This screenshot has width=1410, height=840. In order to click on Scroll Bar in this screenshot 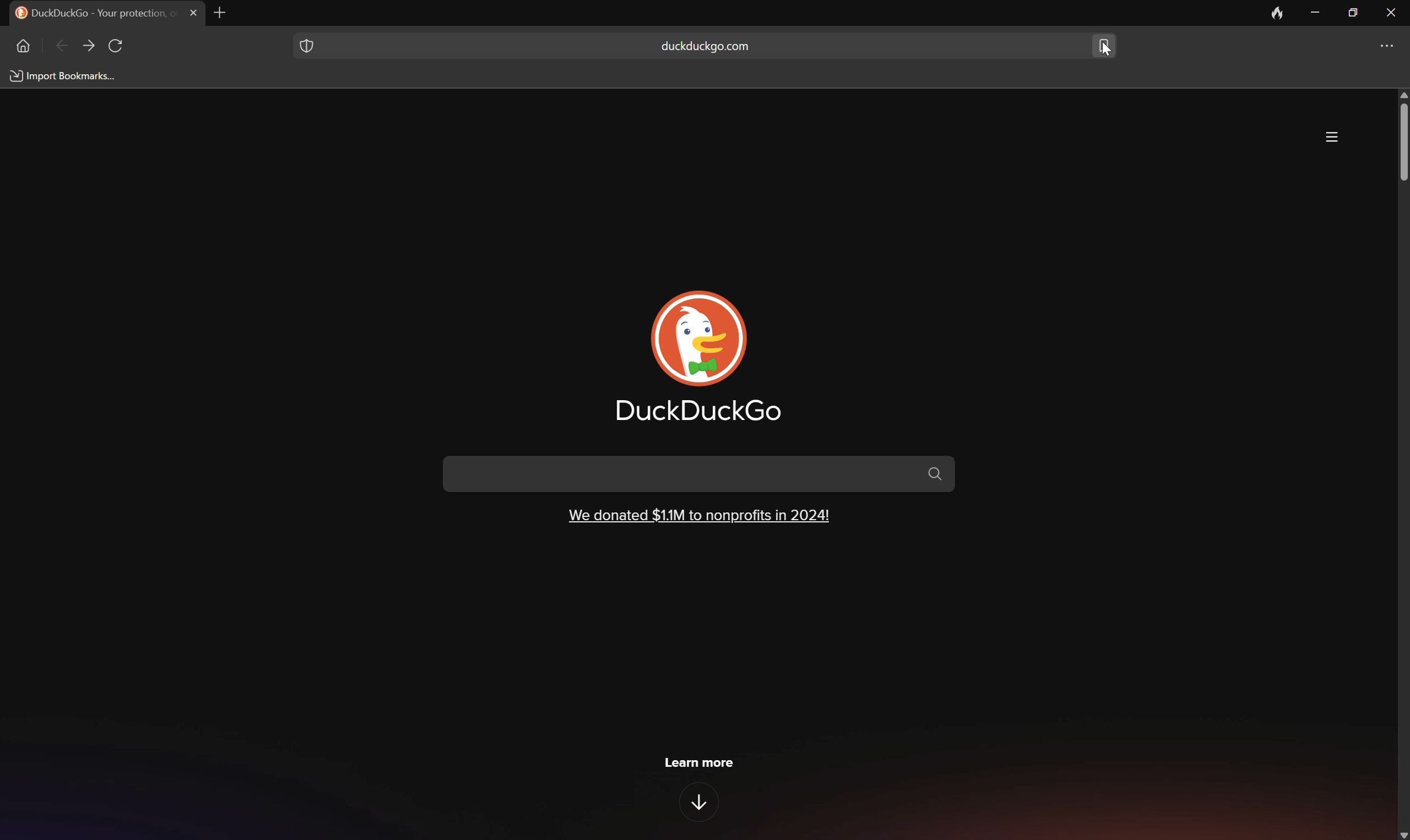, I will do `click(1401, 142)`.